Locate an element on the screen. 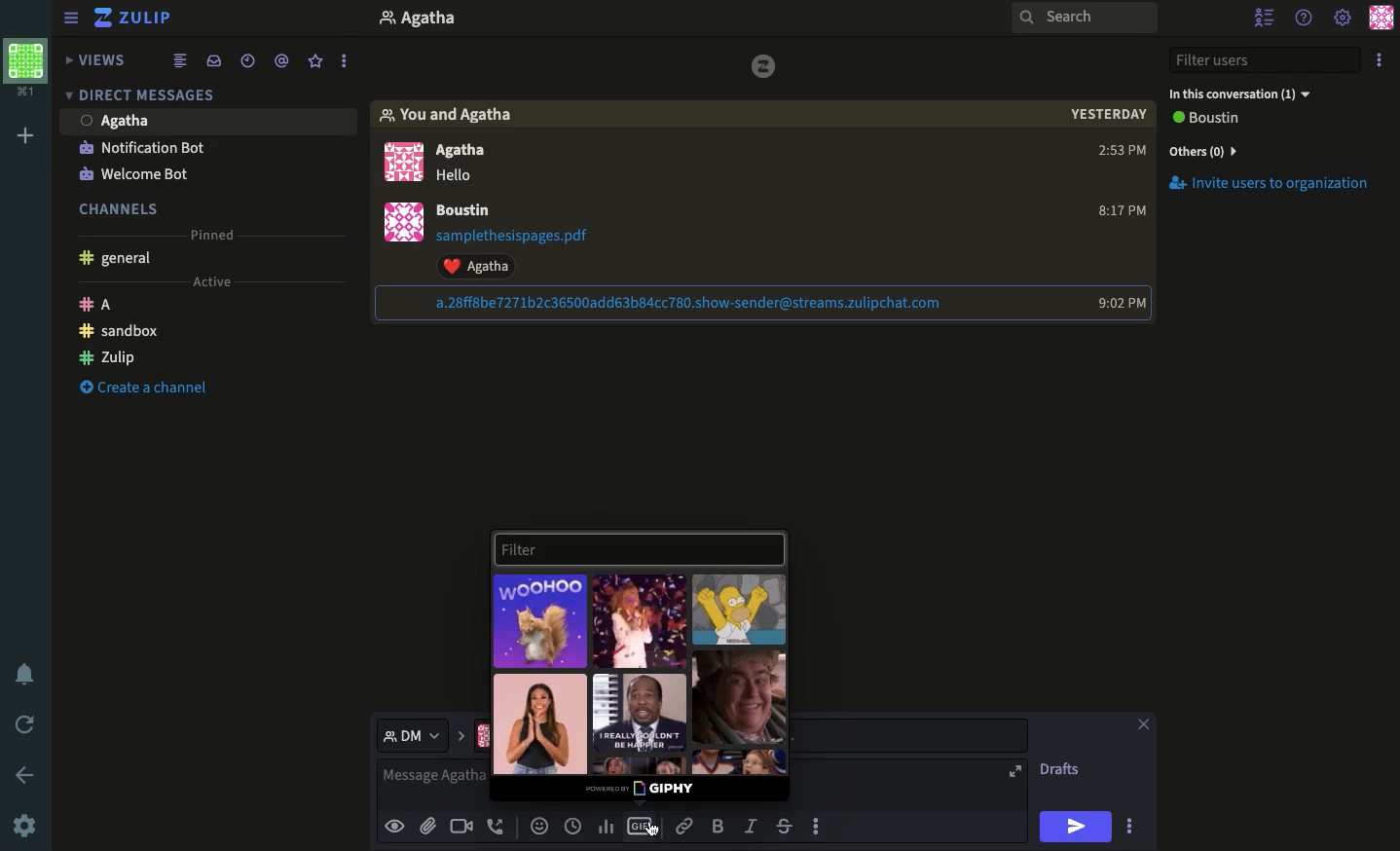  Notification settings is located at coordinates (21, 673).